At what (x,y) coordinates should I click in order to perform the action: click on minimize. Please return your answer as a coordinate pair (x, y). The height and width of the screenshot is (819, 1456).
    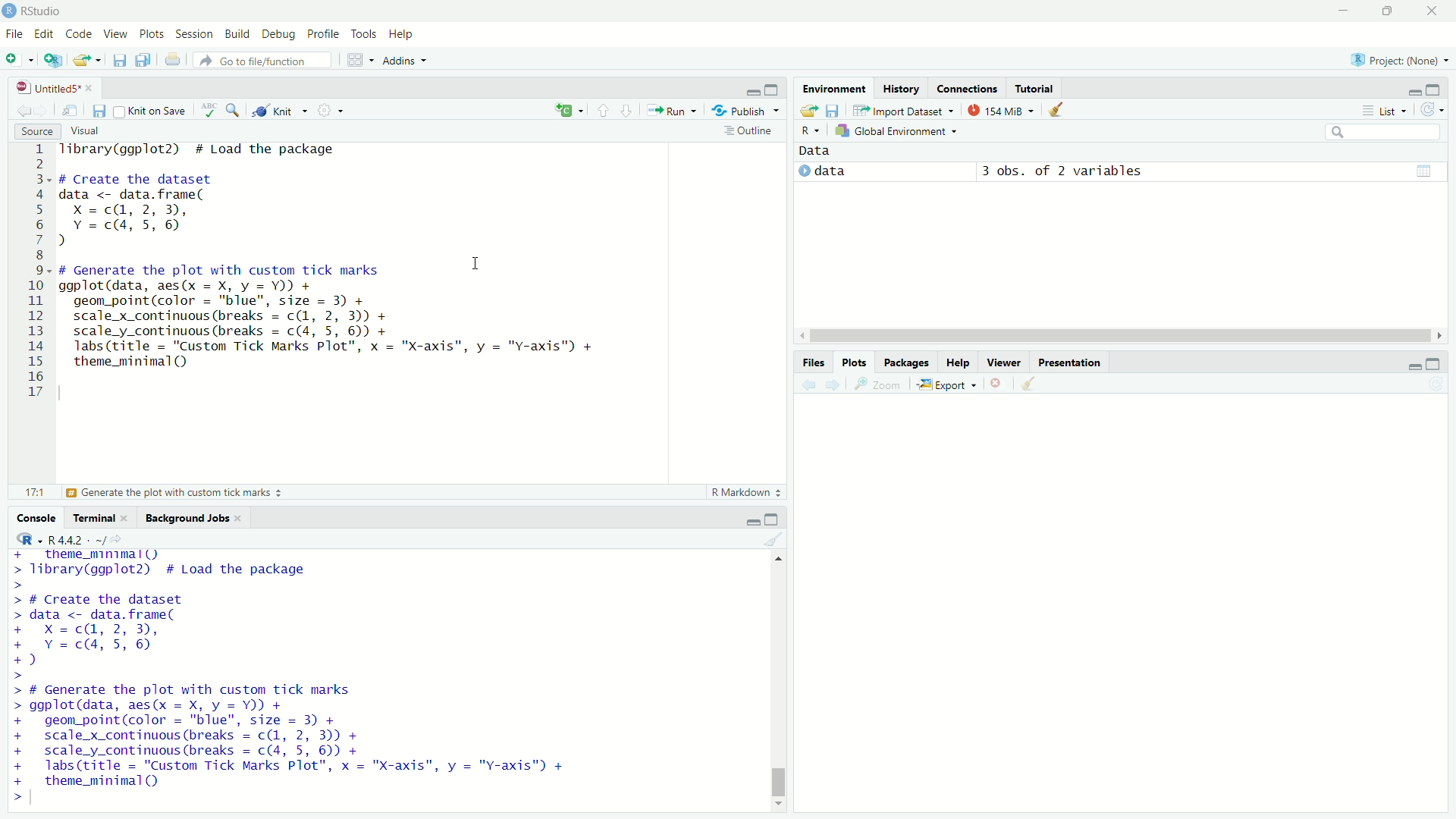
    Looking at the image, I should click on (1340, 11).